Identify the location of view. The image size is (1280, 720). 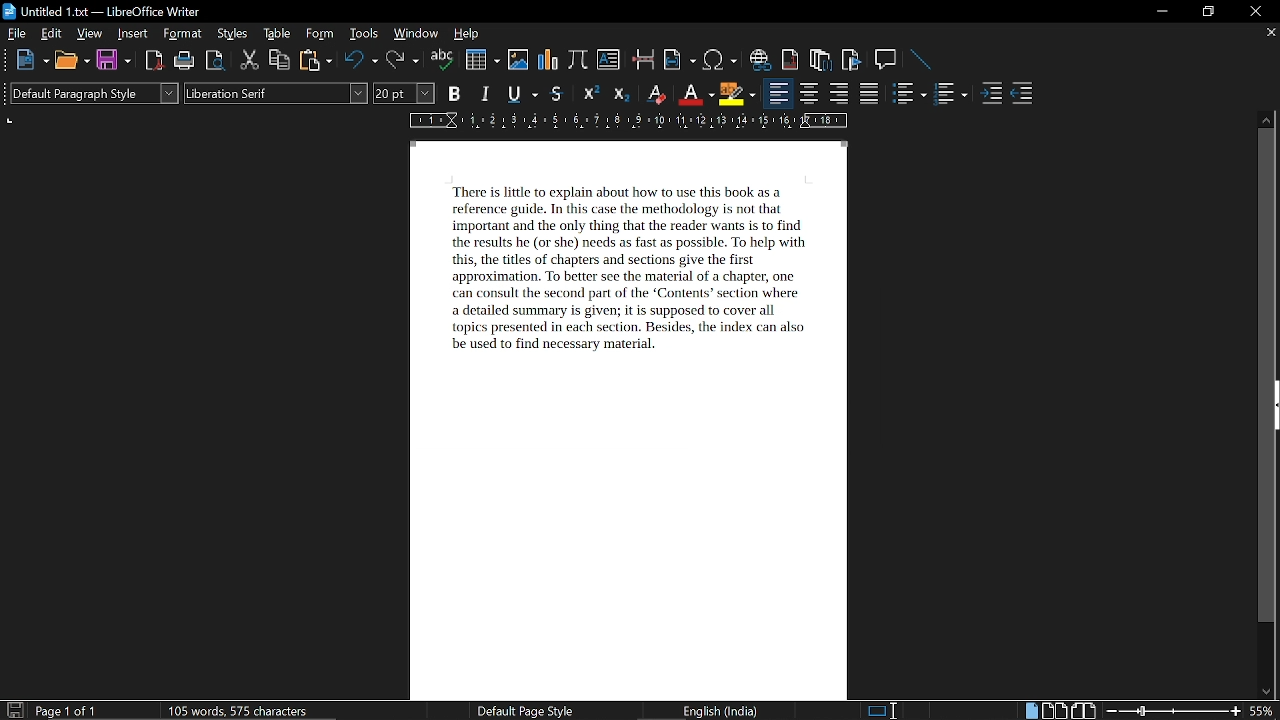
(90, 33).